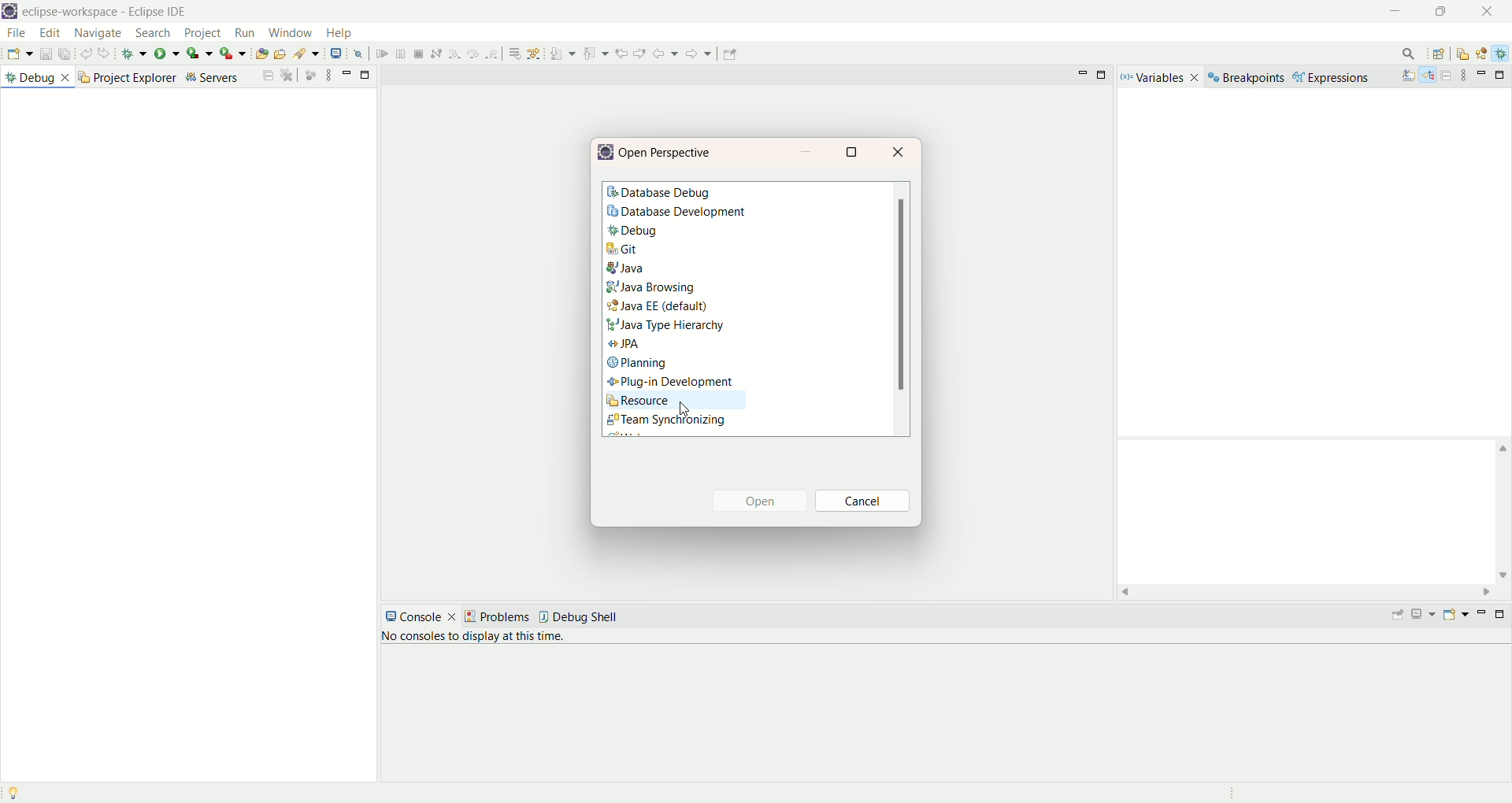 This screenshot has width=1512, height=803. Describe the element at coordinates (682, 214) in the screenshot. I see `database development` at that location.